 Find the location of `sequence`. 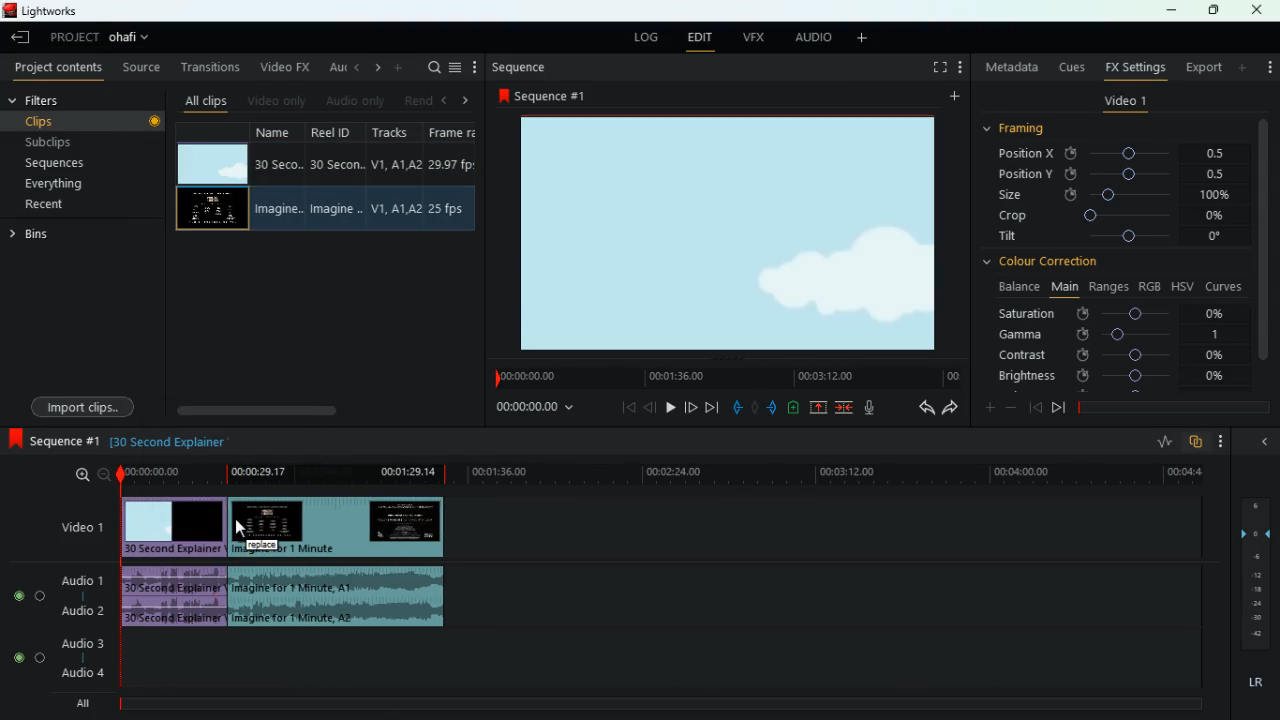

sequence is located at coordinates (548, 95).